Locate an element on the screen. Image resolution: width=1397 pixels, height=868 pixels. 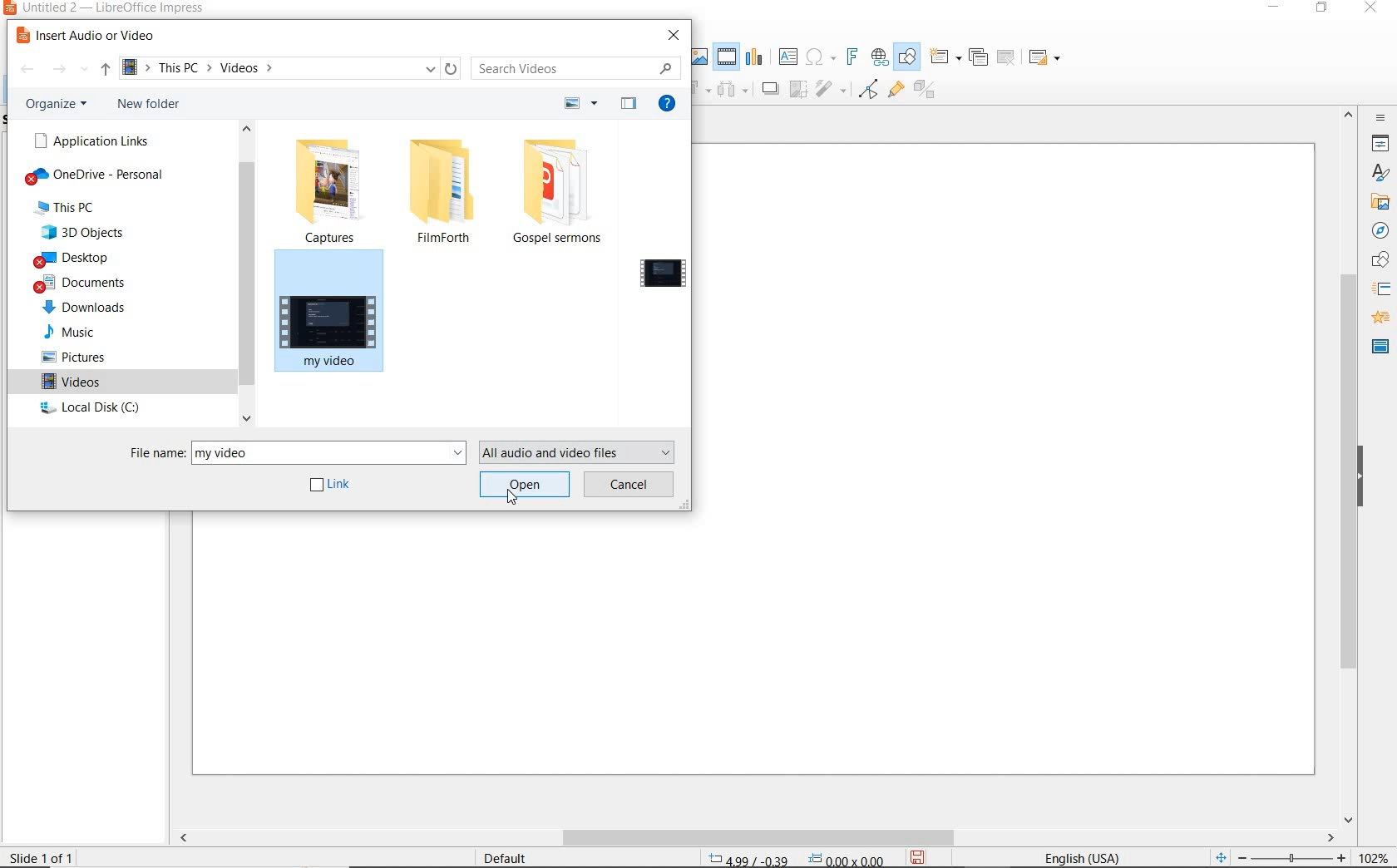
Gospel sermons folder is located at coordinates (566, 194).